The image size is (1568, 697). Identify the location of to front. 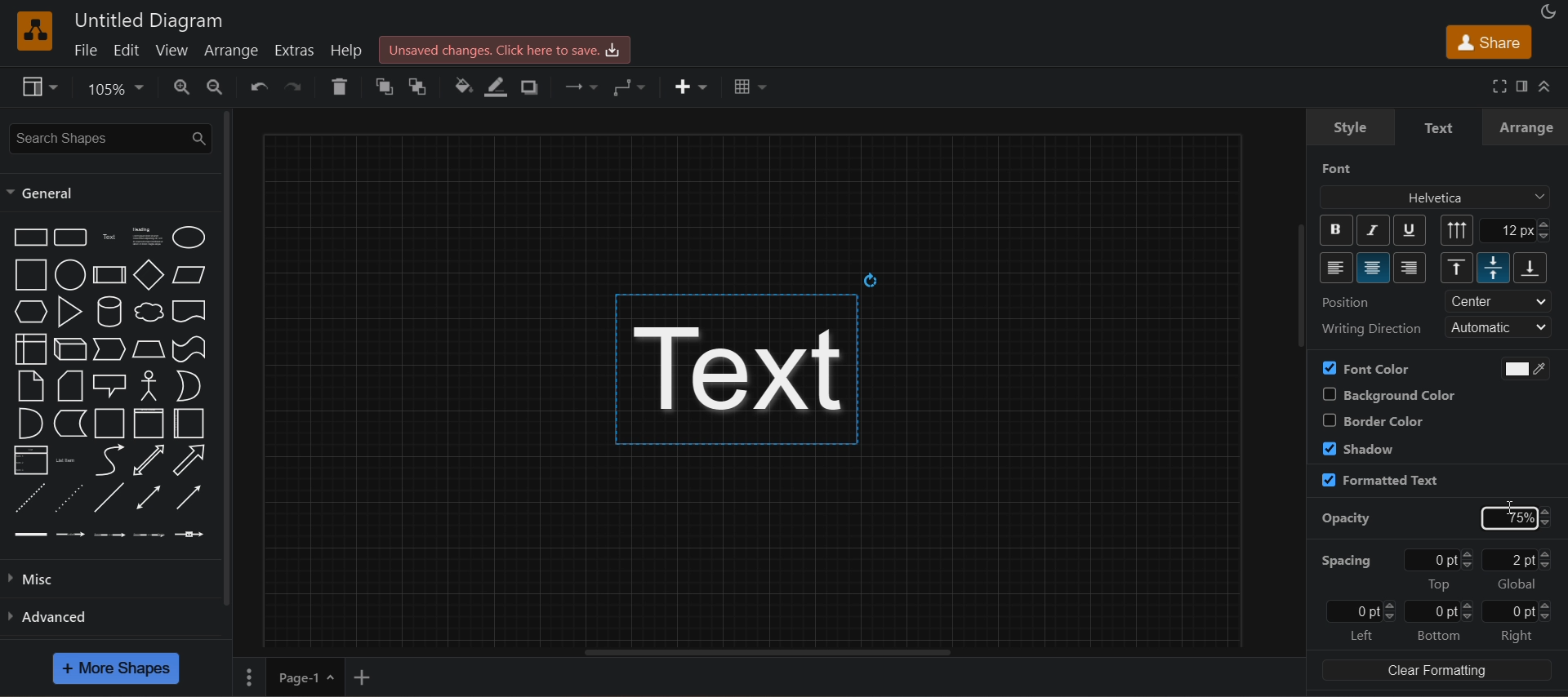
(380, 87).